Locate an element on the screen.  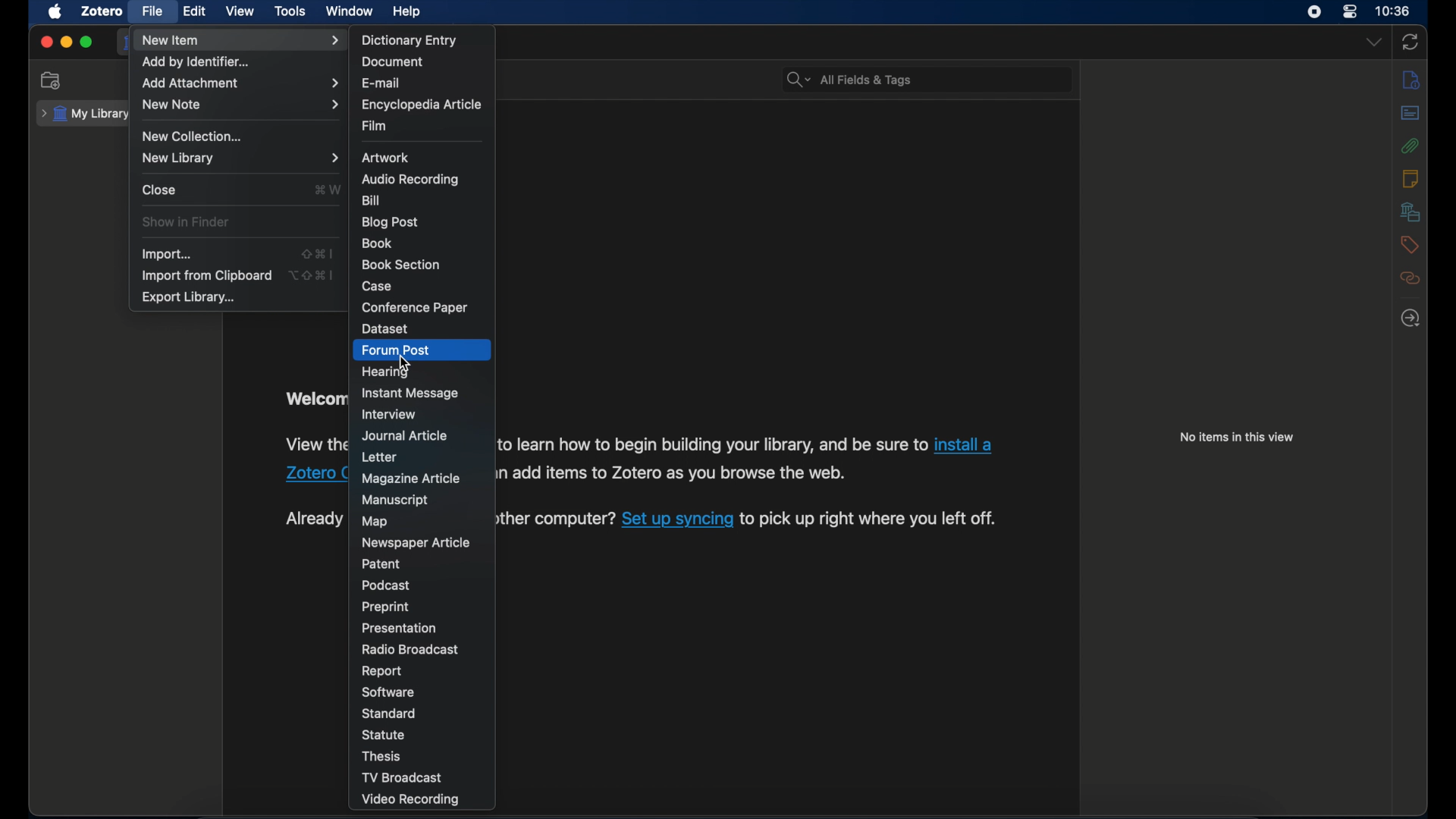
close is located at coordinates (46, 42).